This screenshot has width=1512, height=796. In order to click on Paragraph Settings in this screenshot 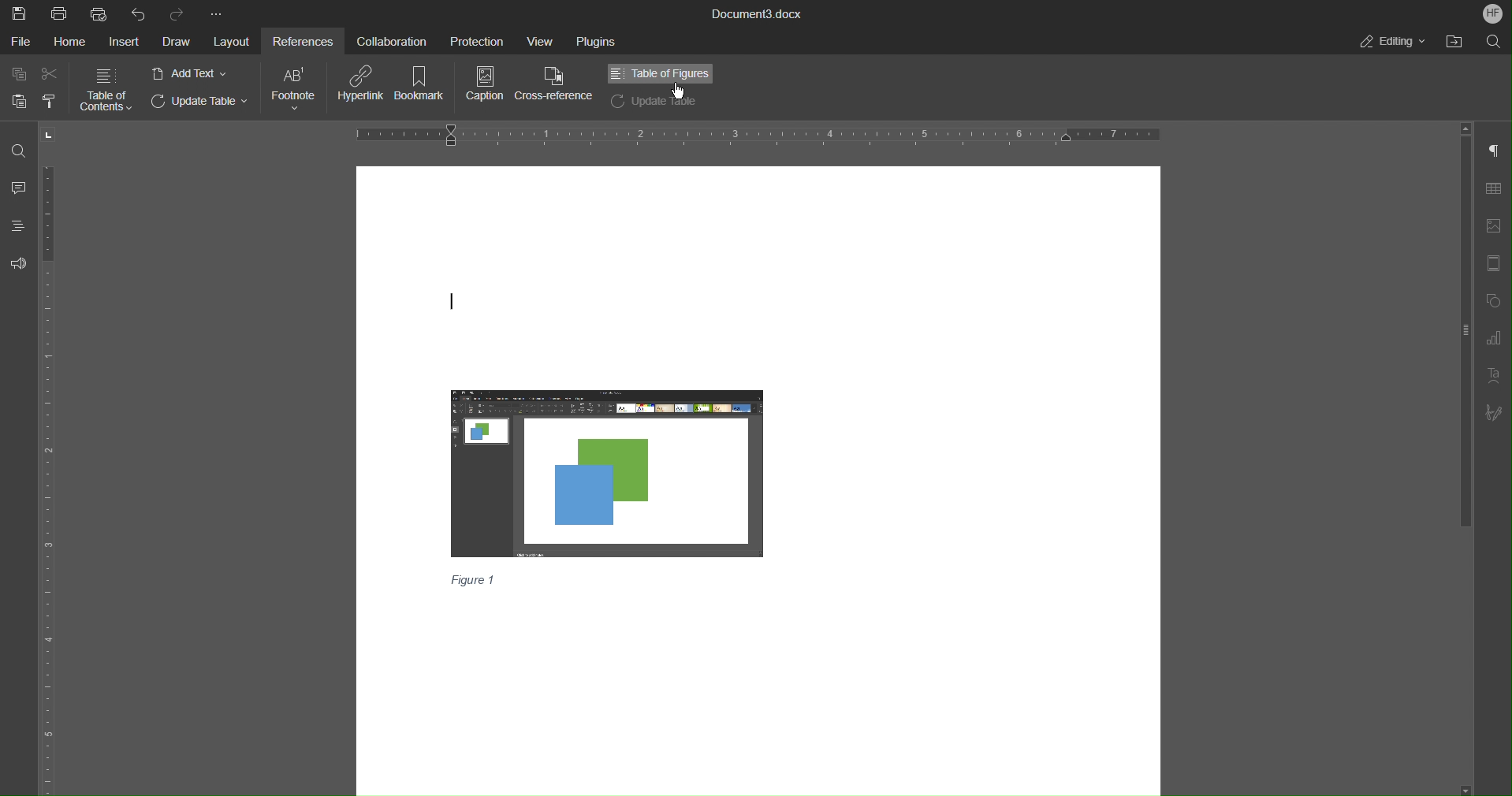, I will do `click(1494, 153)`.